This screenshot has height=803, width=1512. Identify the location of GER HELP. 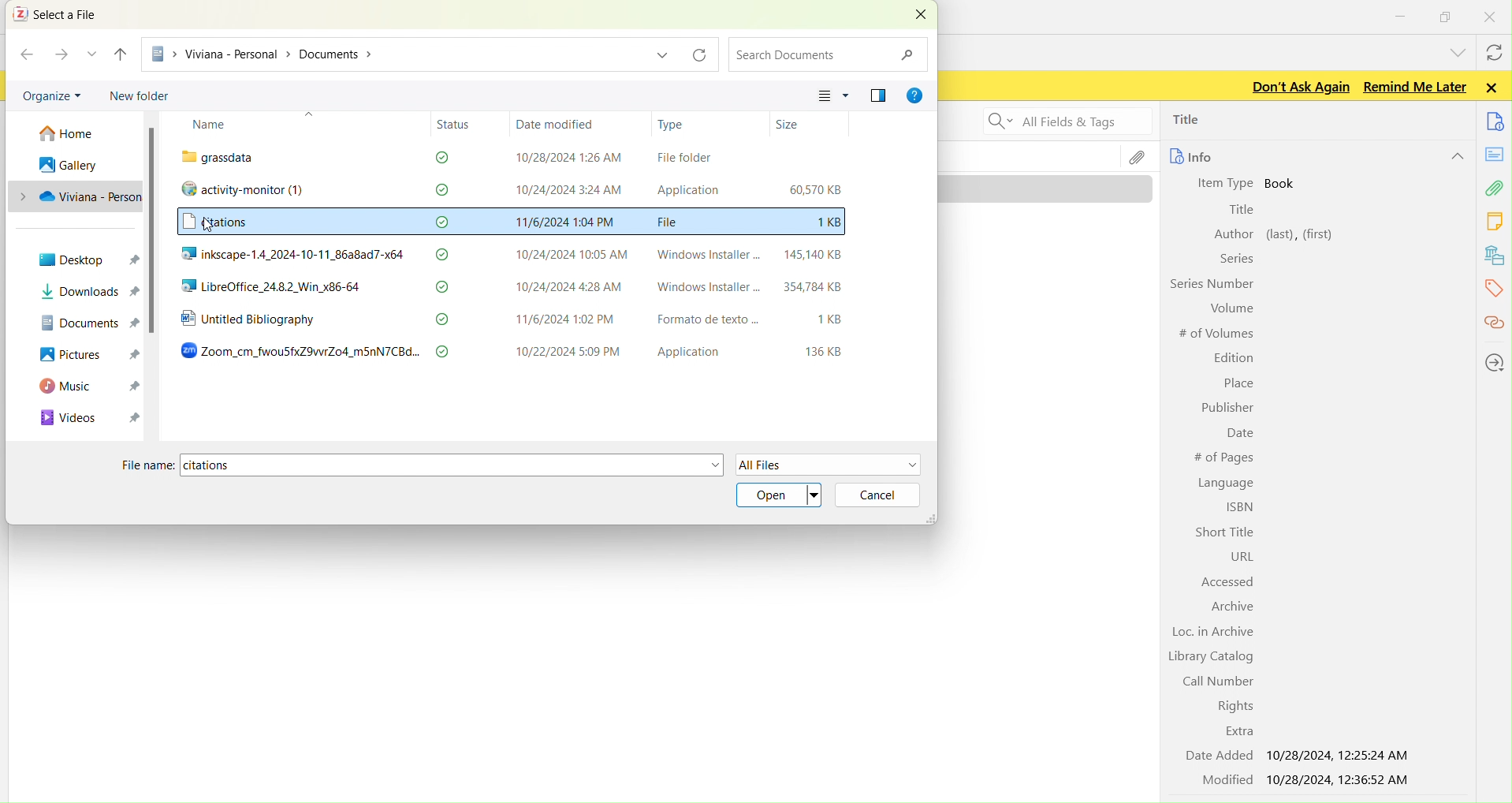
(920, 95).